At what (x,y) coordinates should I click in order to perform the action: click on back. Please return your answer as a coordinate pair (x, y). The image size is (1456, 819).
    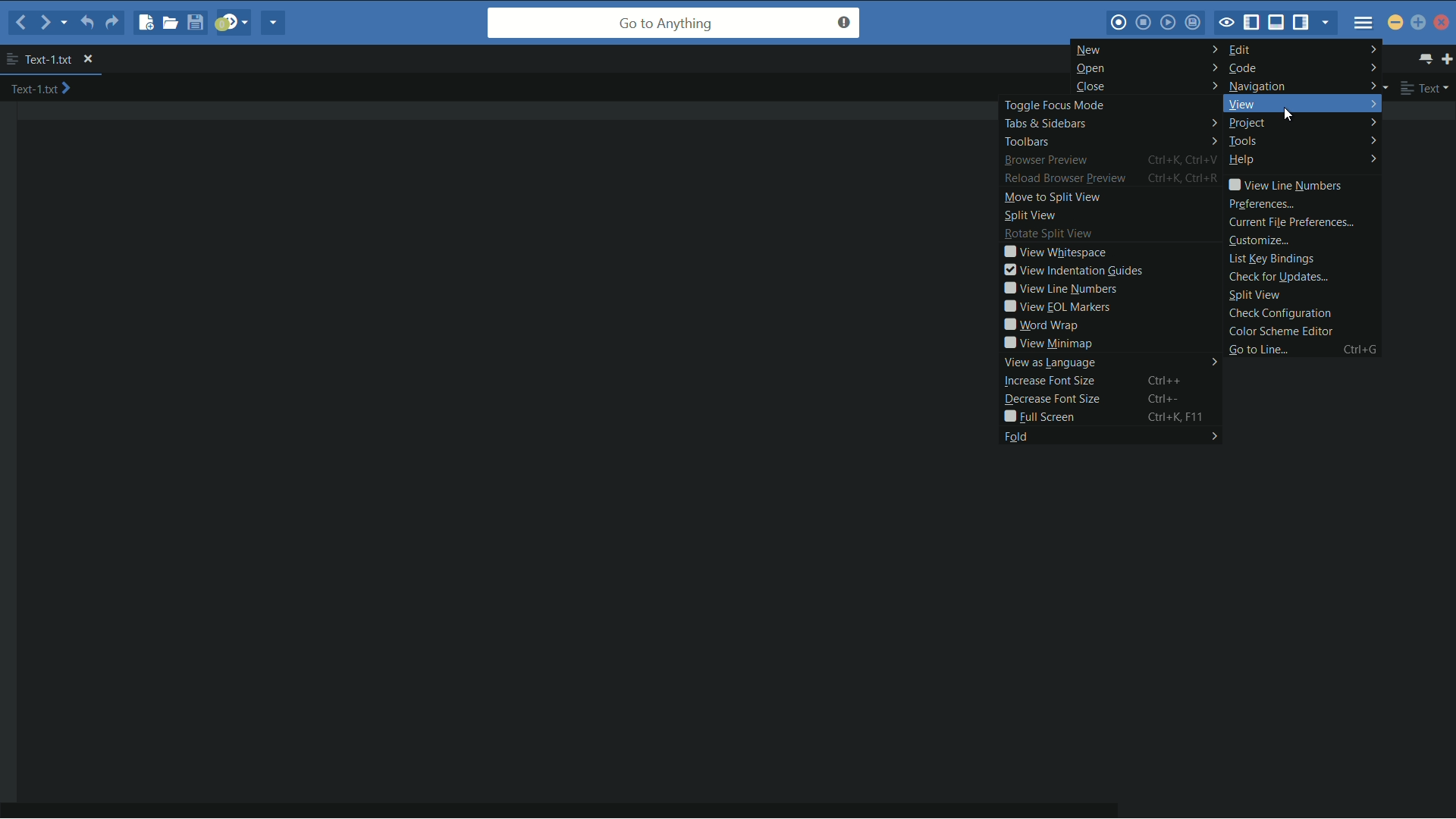
    Looking at the image, I should click on (19, 22).